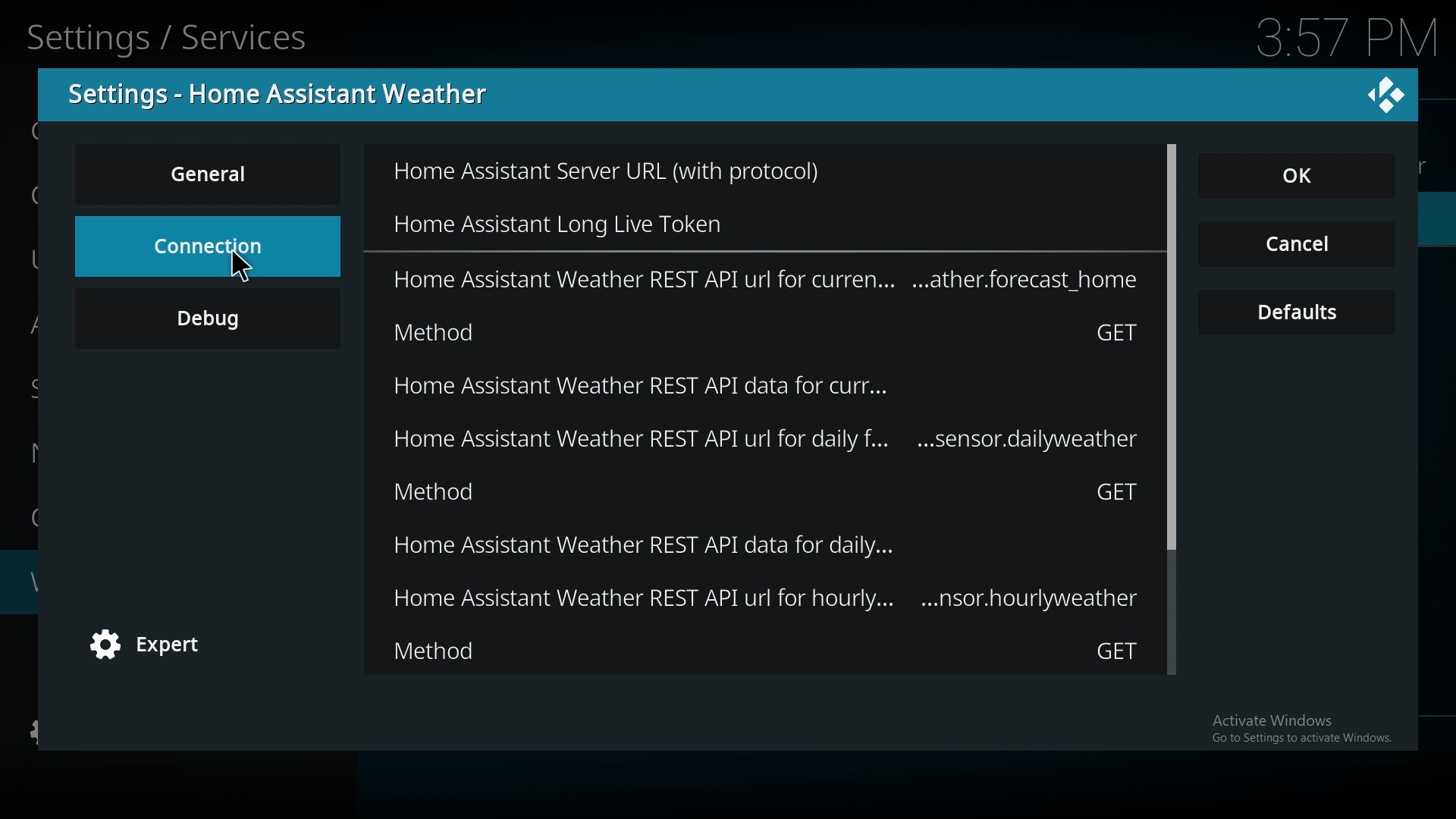 The height and width of the screenshot is (819, 1456). Describe the element at coordinates (208, 330) in the screenshot. I see `debug` at that location.